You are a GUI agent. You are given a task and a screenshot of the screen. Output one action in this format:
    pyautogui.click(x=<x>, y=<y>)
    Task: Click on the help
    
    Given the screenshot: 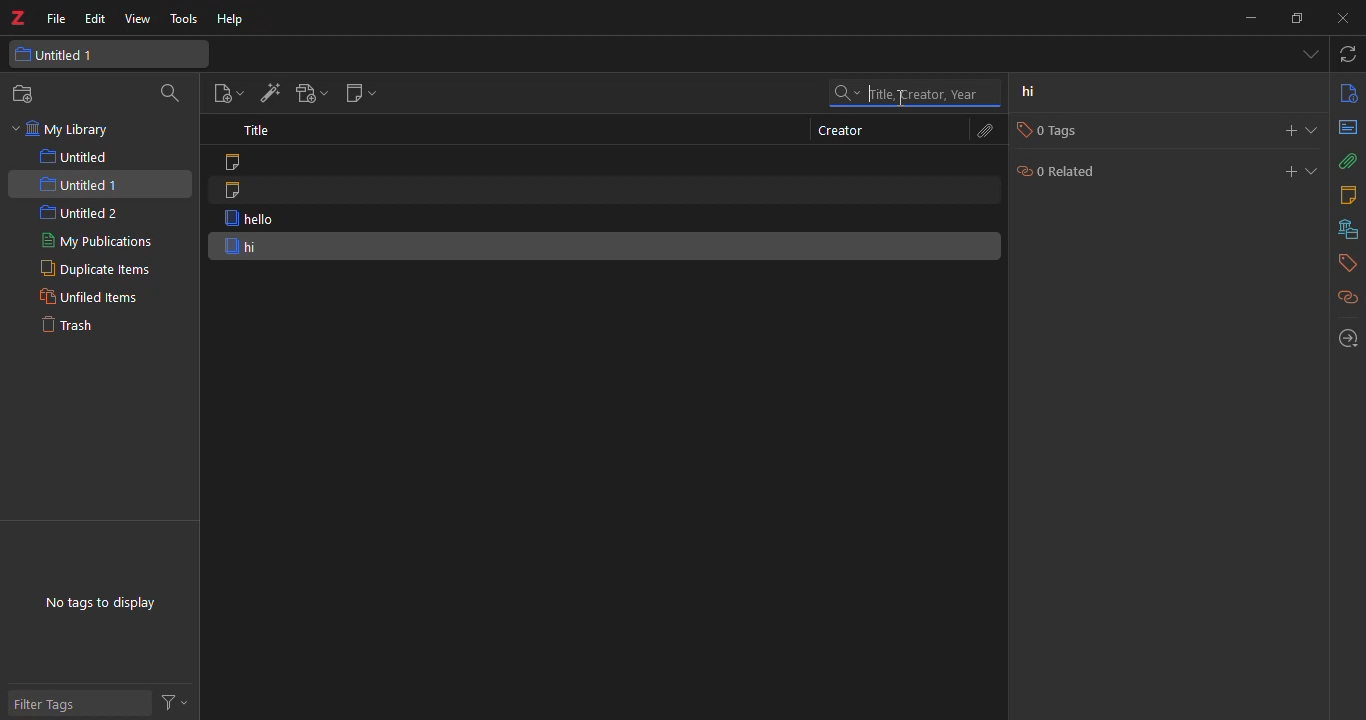 What is the action you would take?
    pyautogui.click(x=232, y=18)
    